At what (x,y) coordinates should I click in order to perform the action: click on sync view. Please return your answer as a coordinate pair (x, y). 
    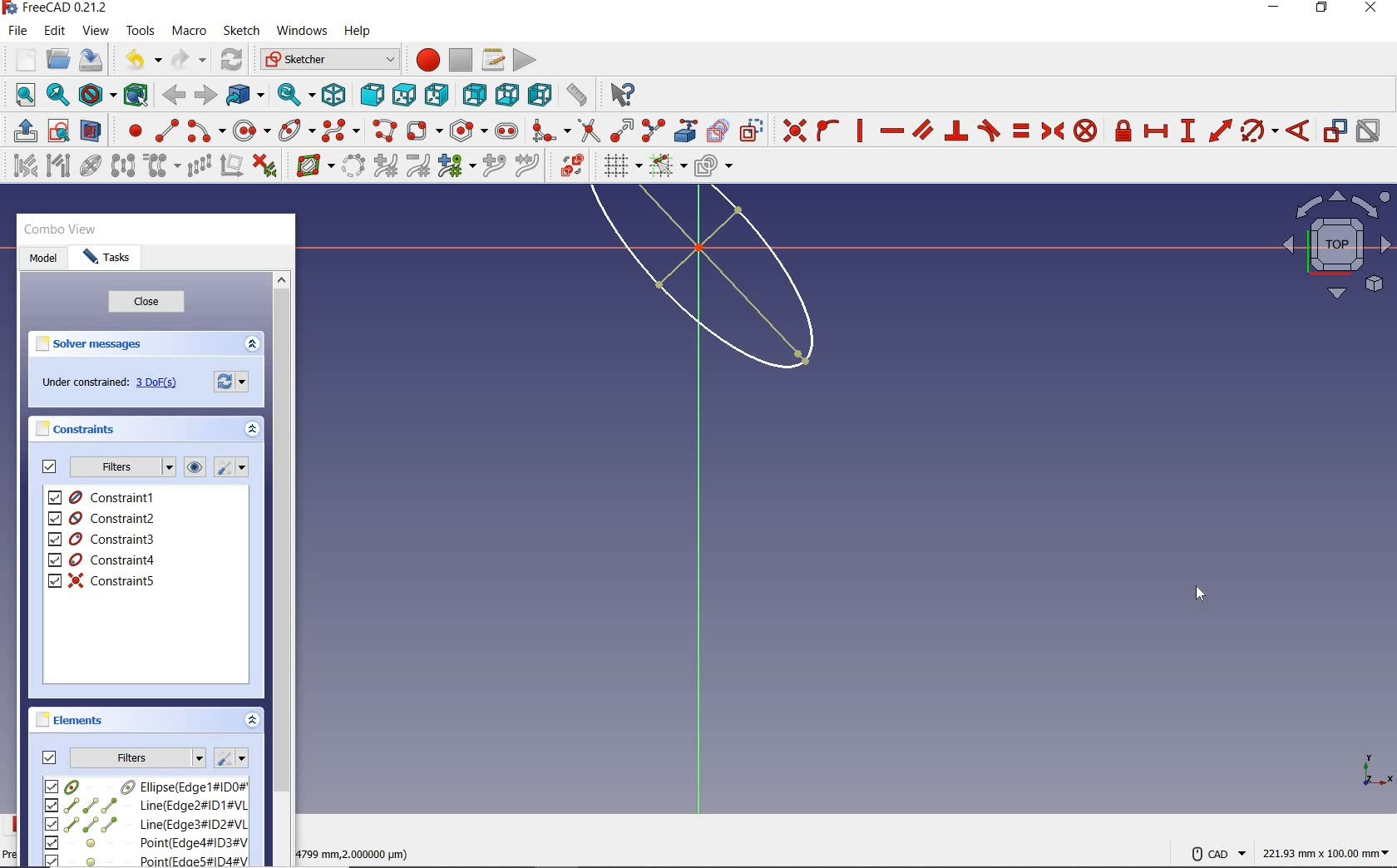
    Looking at the image, I should click on (297, 95).